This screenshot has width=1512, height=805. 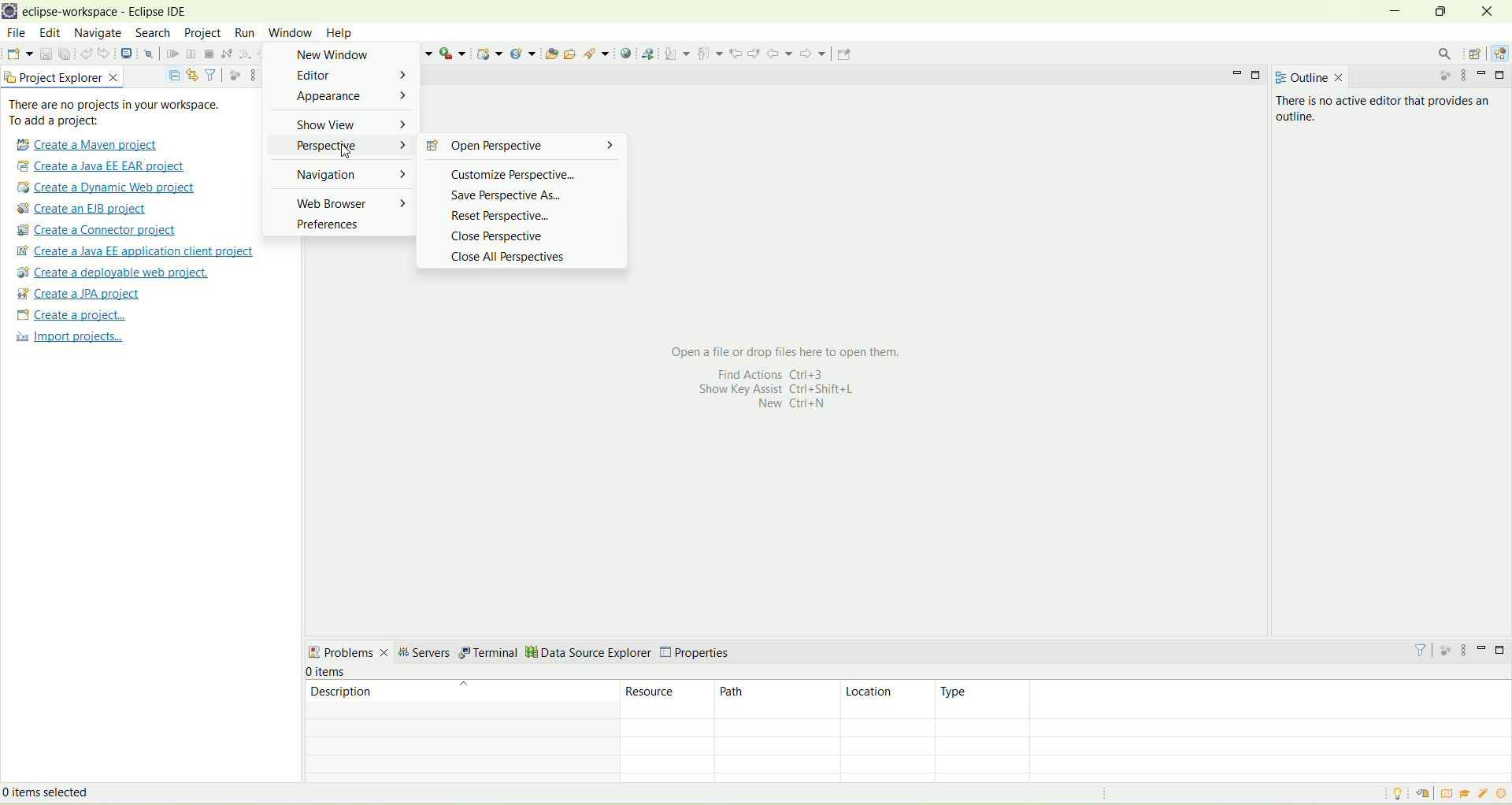 I want to click on problems, so click(x=348, y=654).